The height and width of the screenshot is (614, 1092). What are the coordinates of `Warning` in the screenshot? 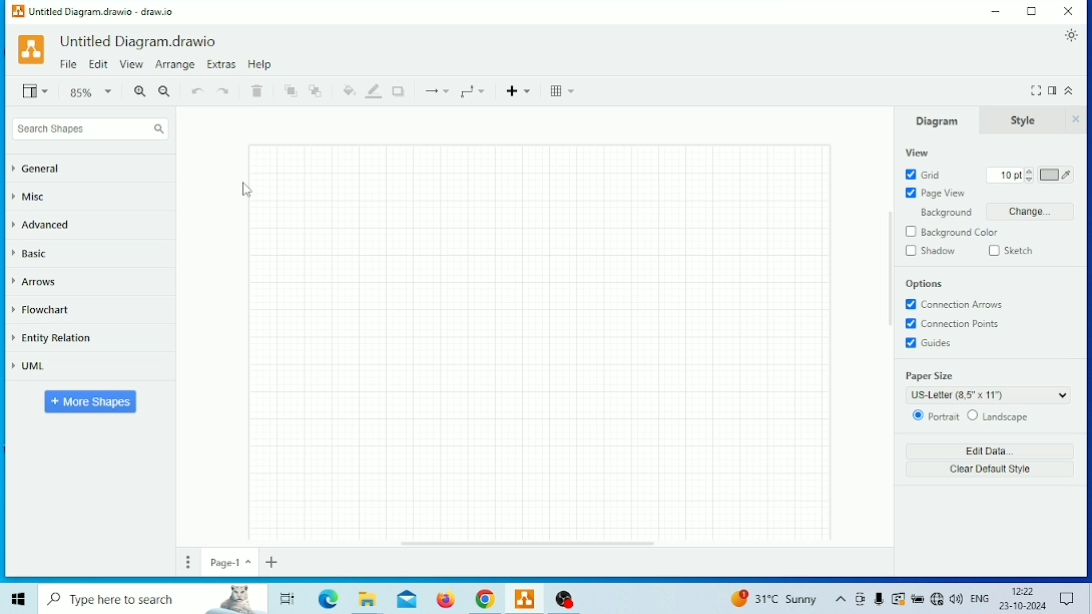 It's located at (898, 599).